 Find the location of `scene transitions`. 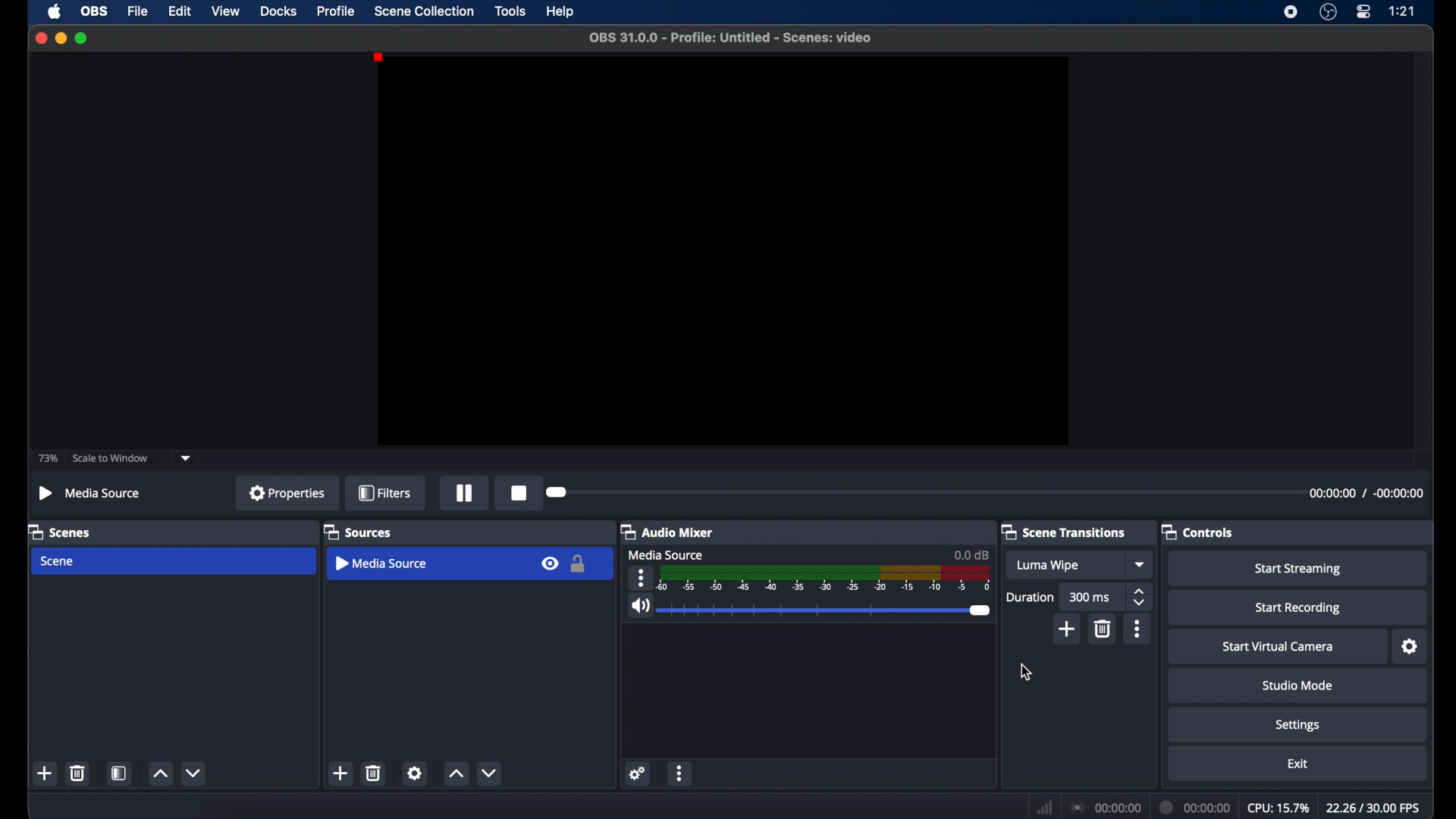

scene transitions is located at coordinates (1064, 532).